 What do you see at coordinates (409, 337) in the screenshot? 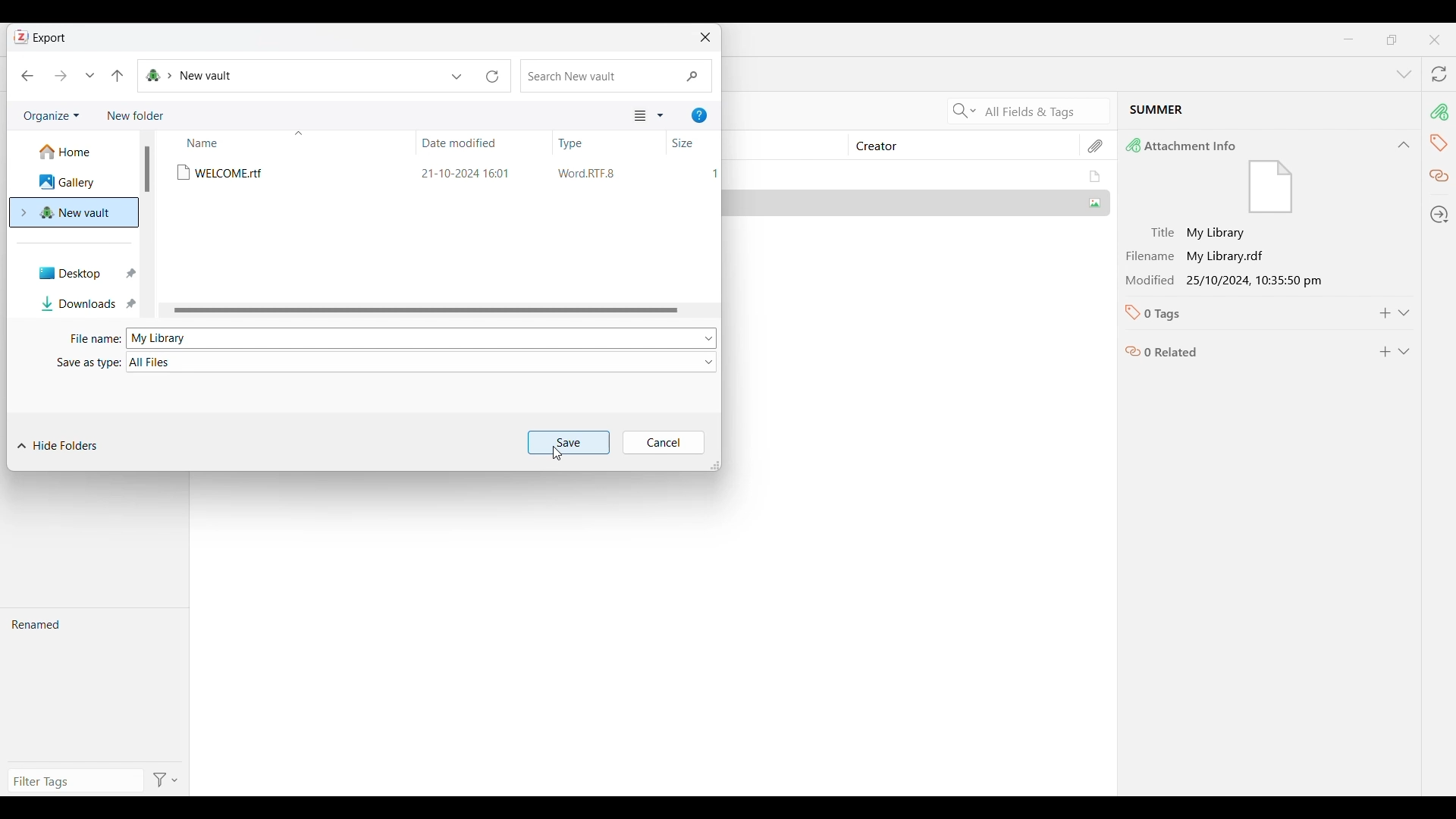
I see `My library` at bounding box center [409, 337].